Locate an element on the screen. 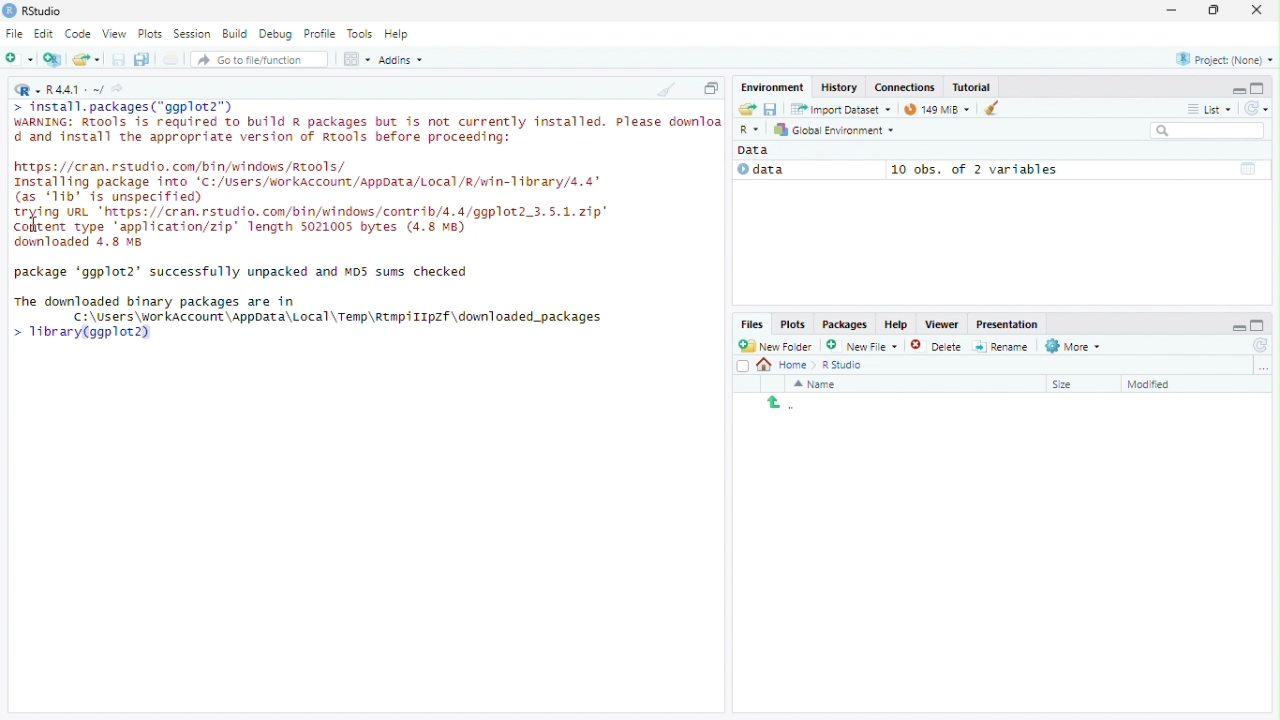 The height and width of the screenshot is (720, 1280). Connections is located at coordinates (904, 87).